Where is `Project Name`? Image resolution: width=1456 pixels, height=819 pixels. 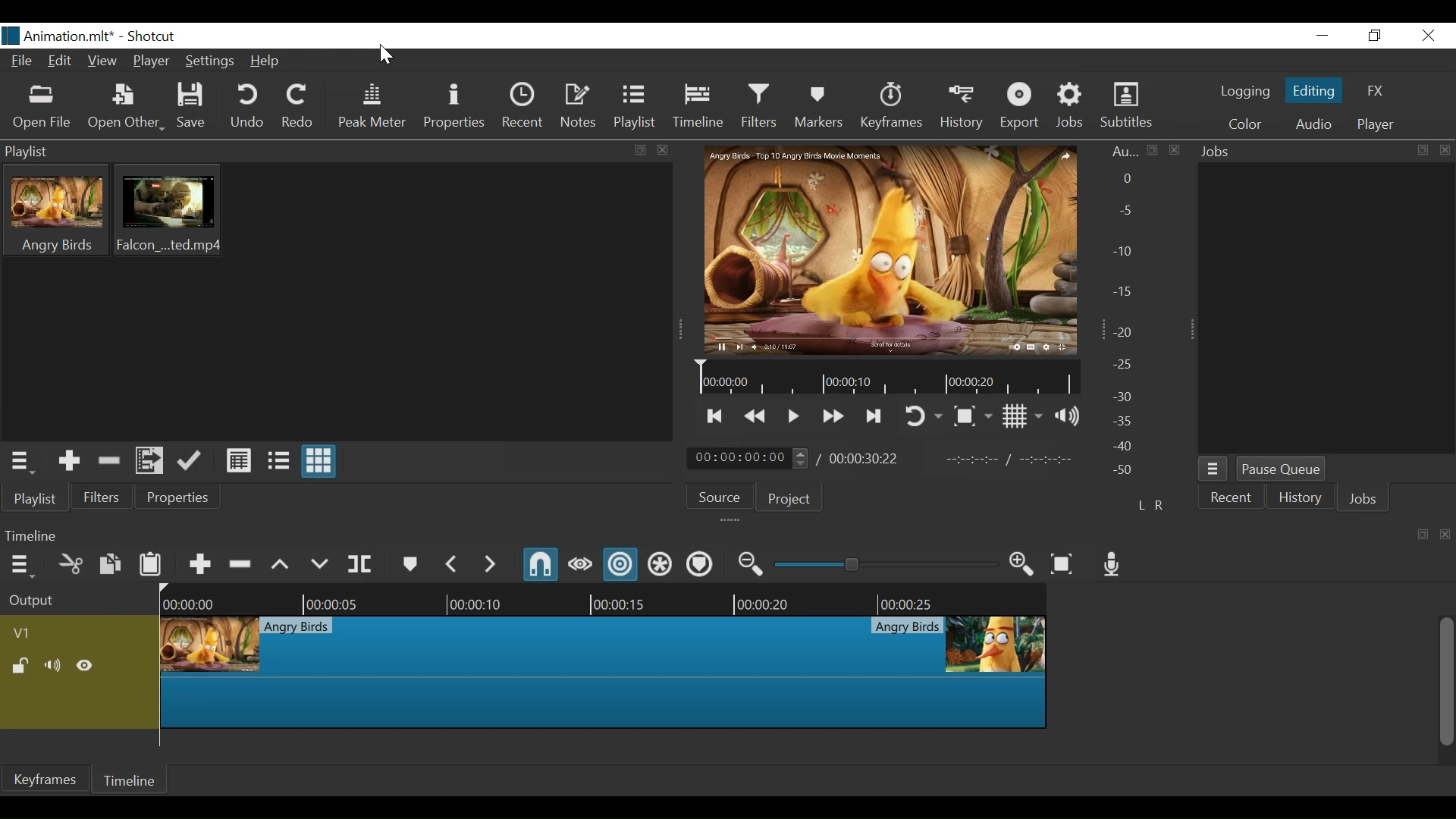
Project Name is located at coordinates (71, 38).